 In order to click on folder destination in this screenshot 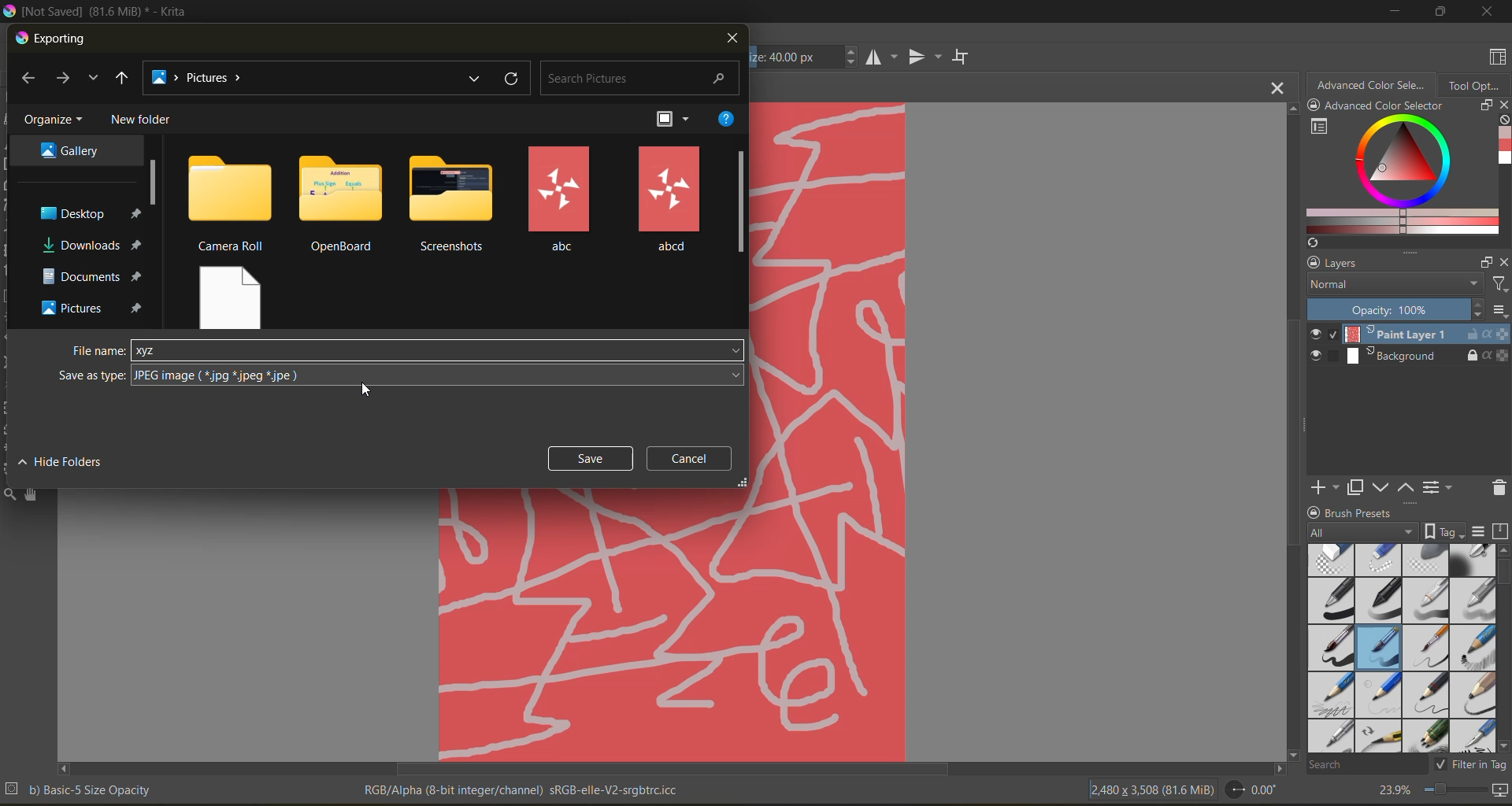, I will do `click(89, 213)`.